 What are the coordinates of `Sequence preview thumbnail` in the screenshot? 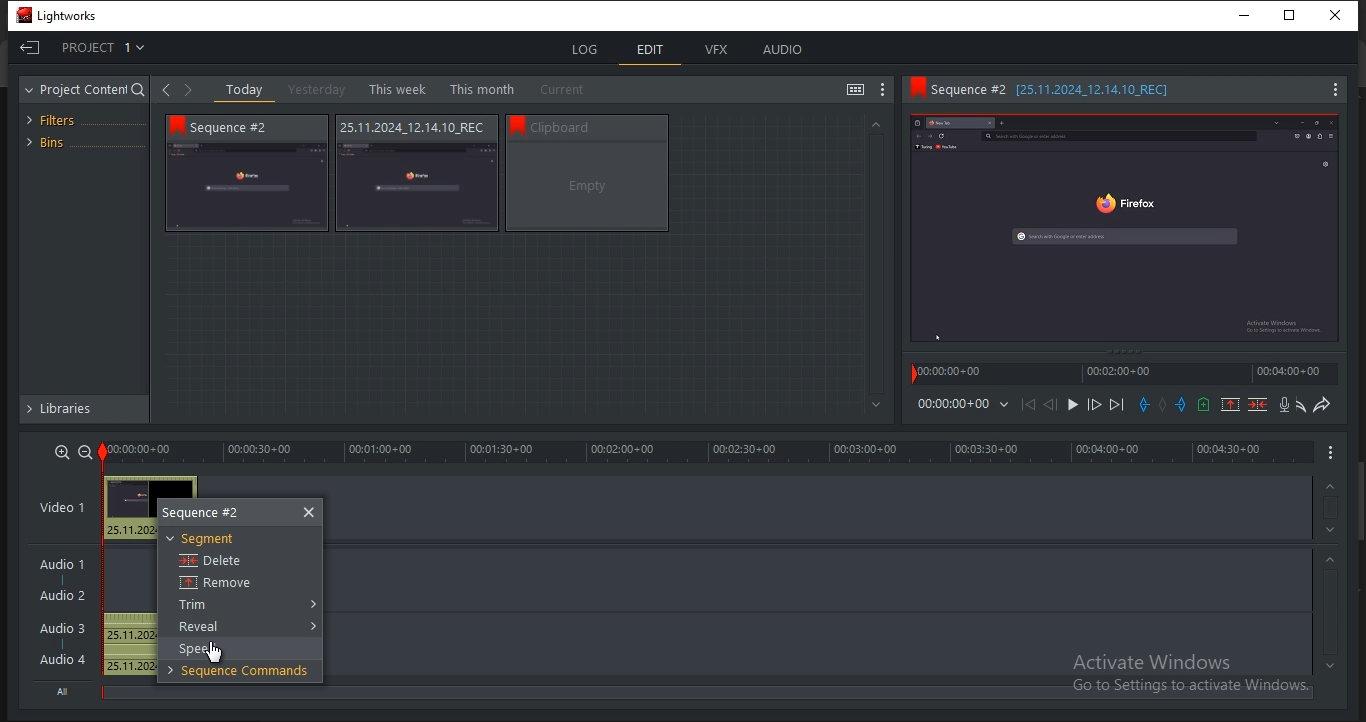 It's located at (1123, 226).